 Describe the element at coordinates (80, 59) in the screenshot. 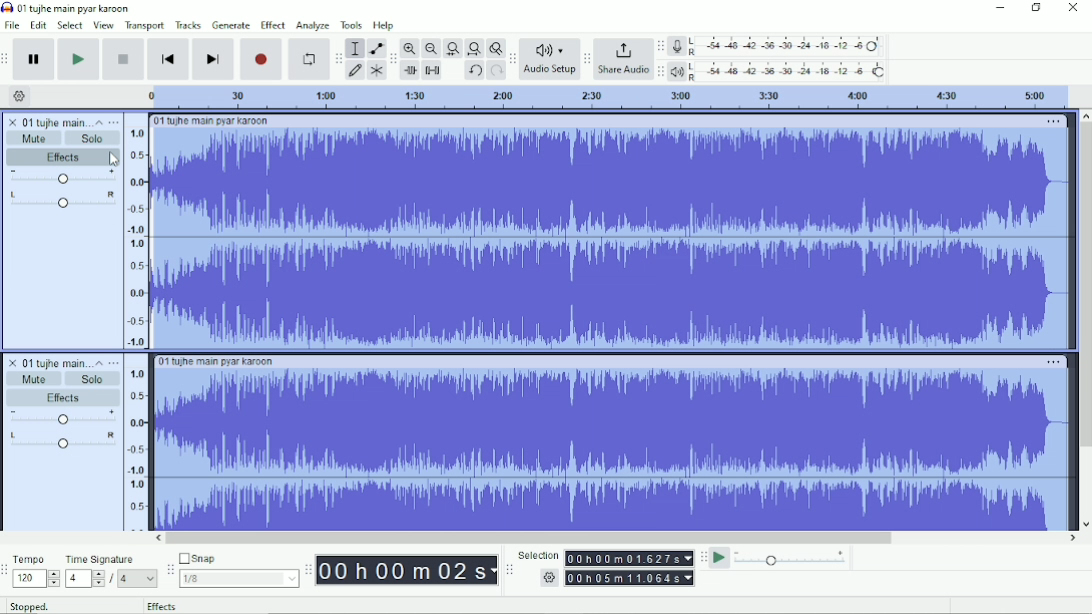

I see `Play` at that location.